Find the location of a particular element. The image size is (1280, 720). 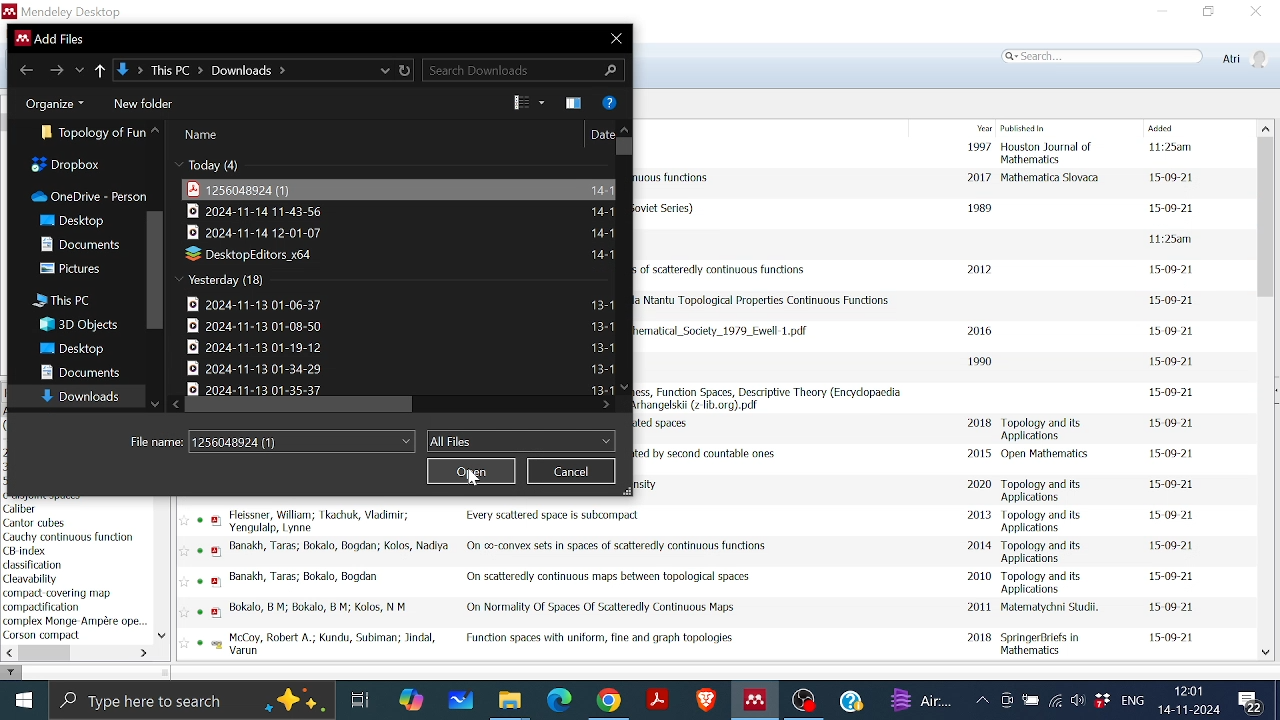

2016 is located at coordinates (982, 331).